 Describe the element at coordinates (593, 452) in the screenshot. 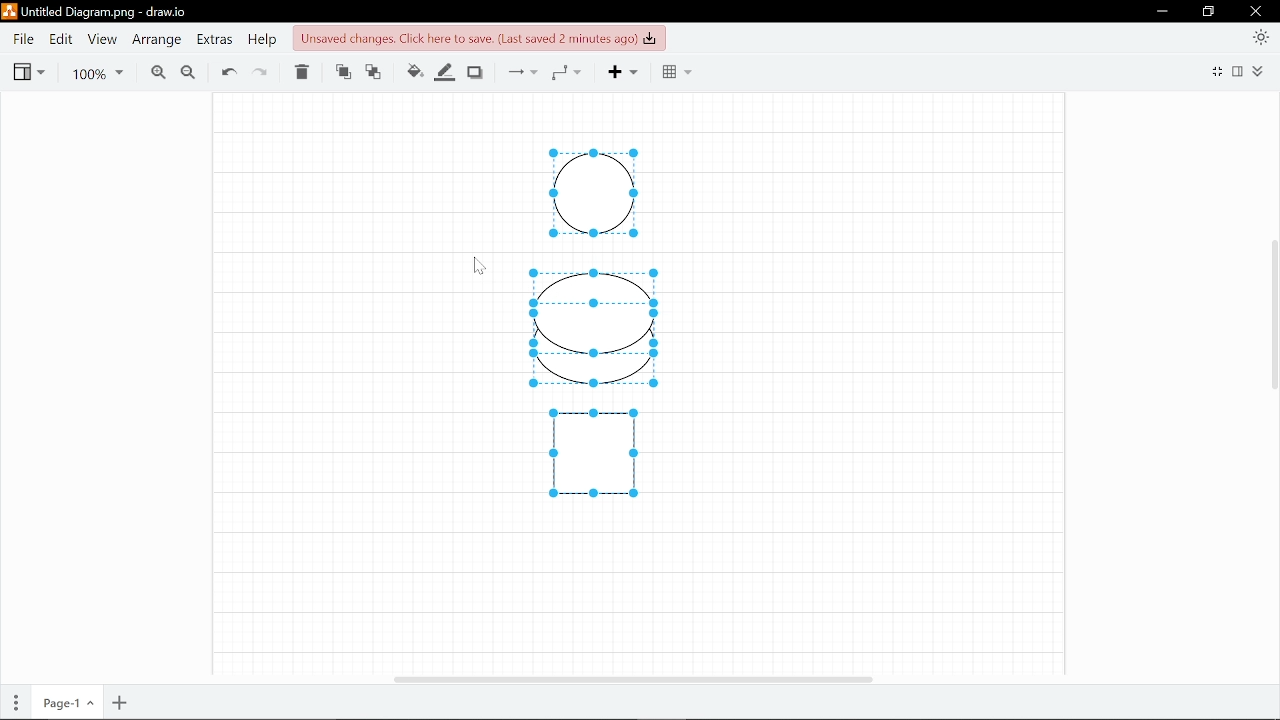

I see `Diagram` at that location.